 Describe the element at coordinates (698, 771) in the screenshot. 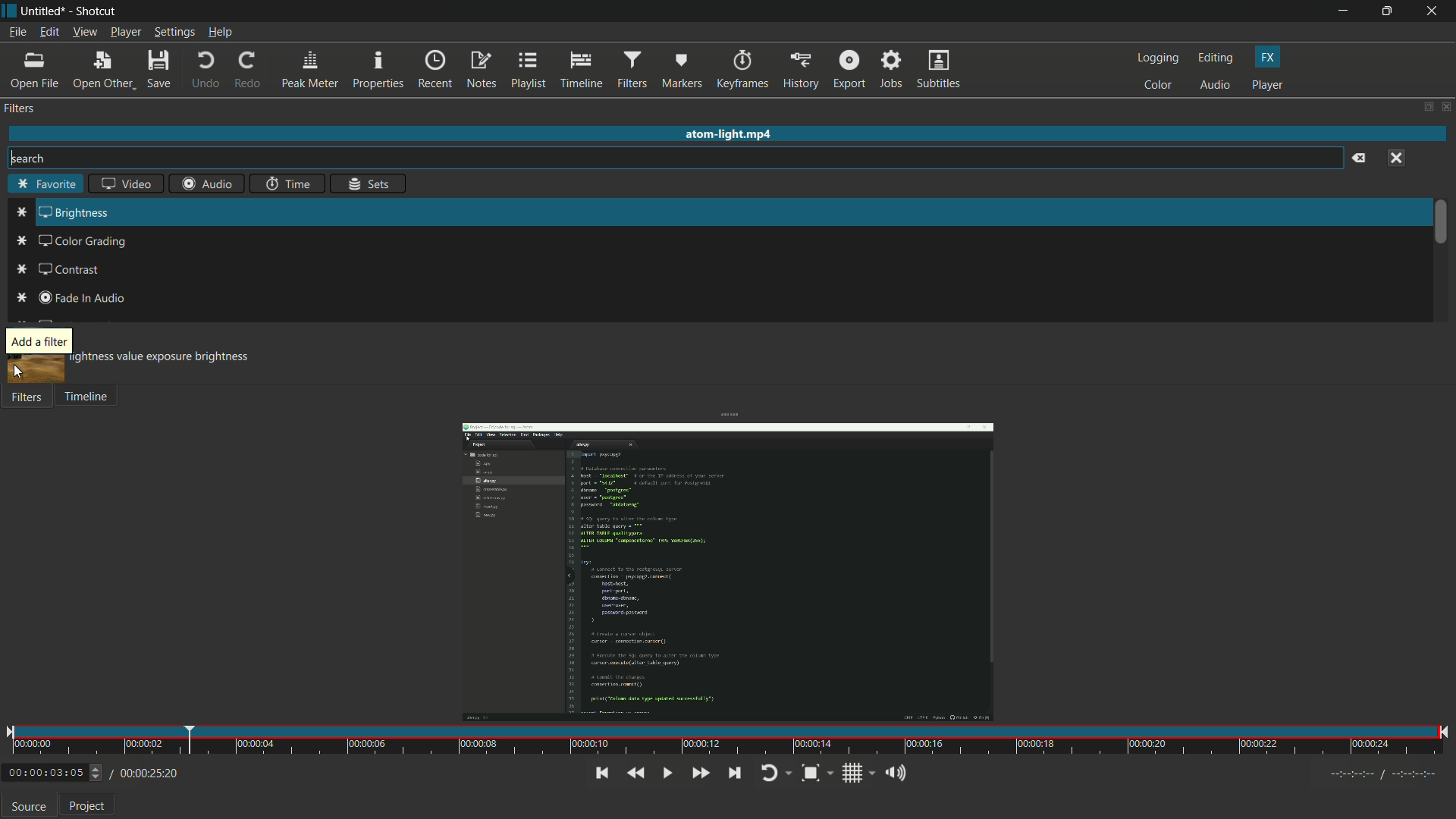

I see `quickly play forward` at that location.